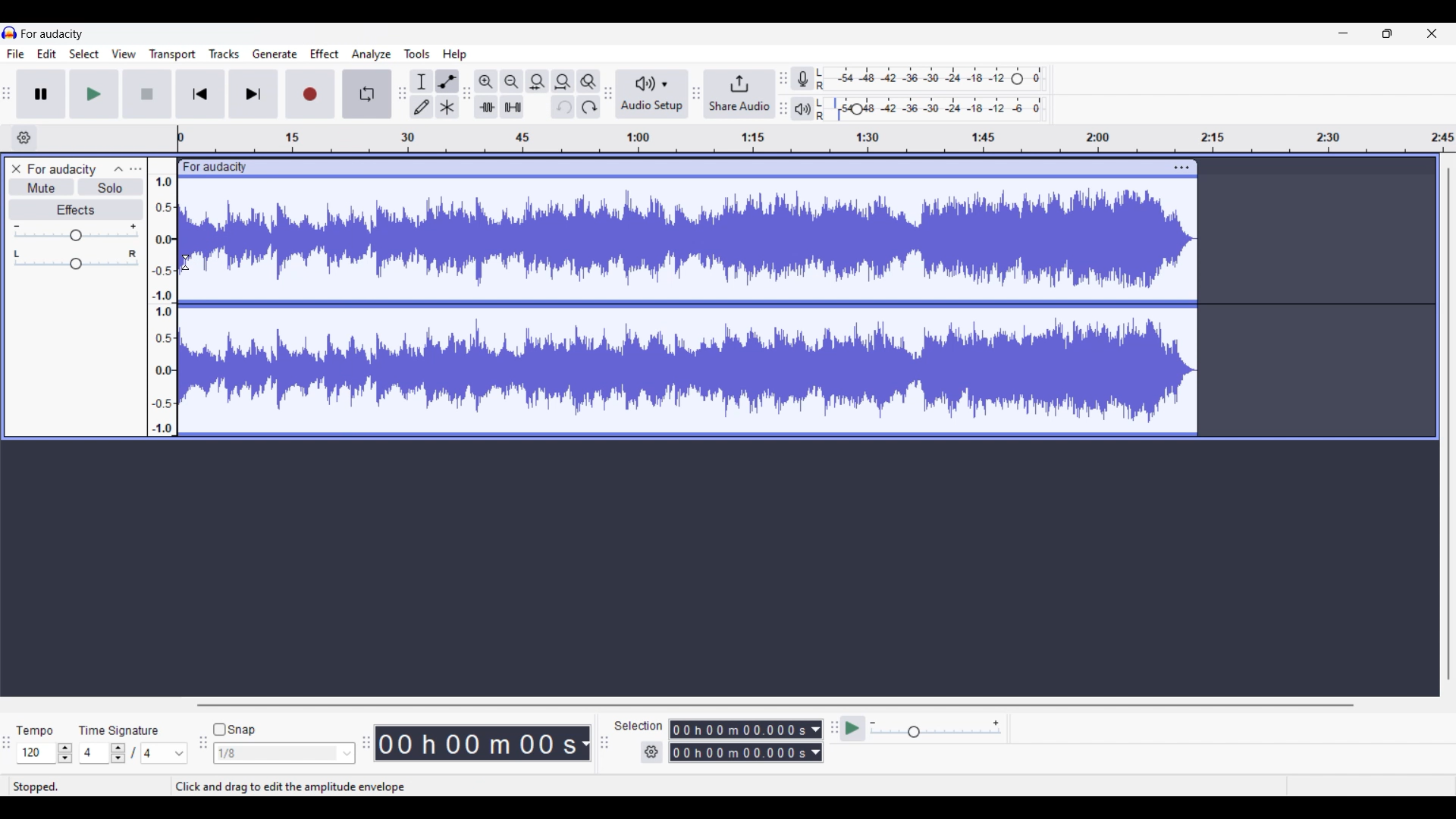 The height and width of the screenshot is (819, 1456). I want to click on Volume slider, so click(77, 233).